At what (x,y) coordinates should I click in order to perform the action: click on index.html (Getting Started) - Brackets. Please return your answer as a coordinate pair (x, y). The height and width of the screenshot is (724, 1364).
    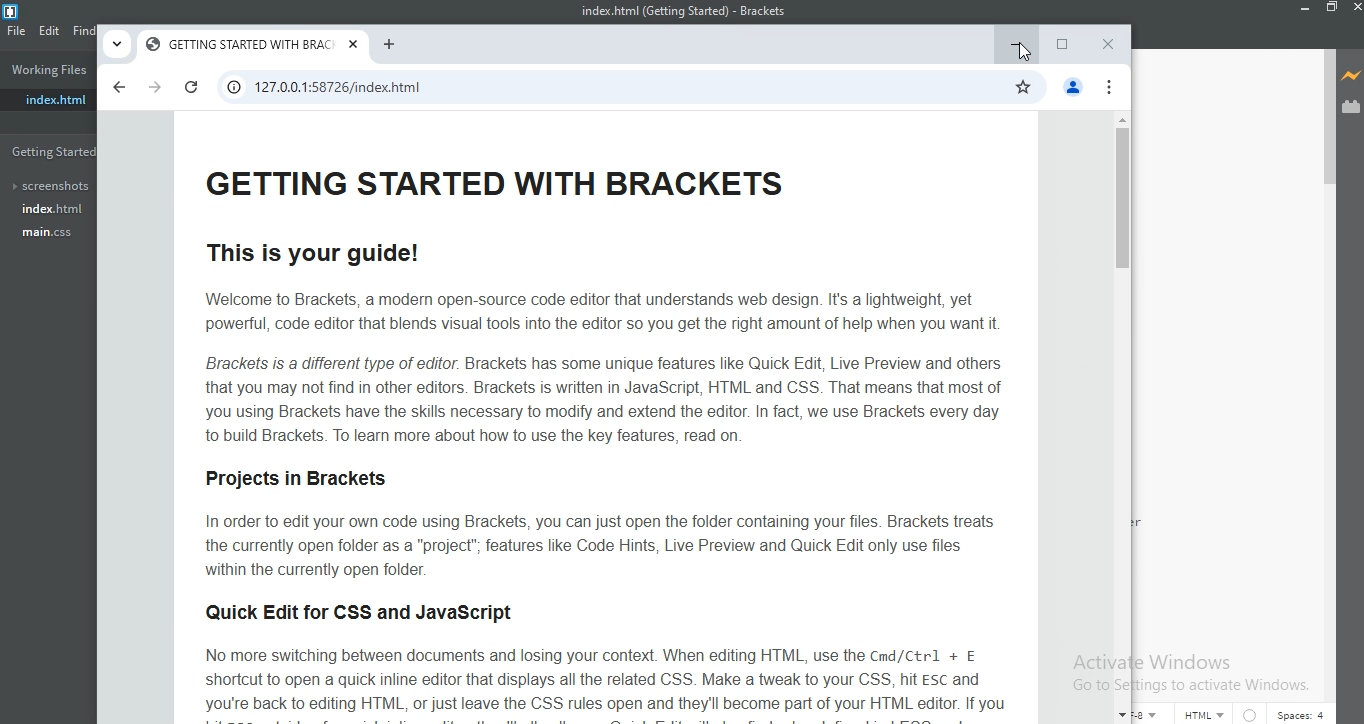
    Looking at the image, I should click on (681, 13).